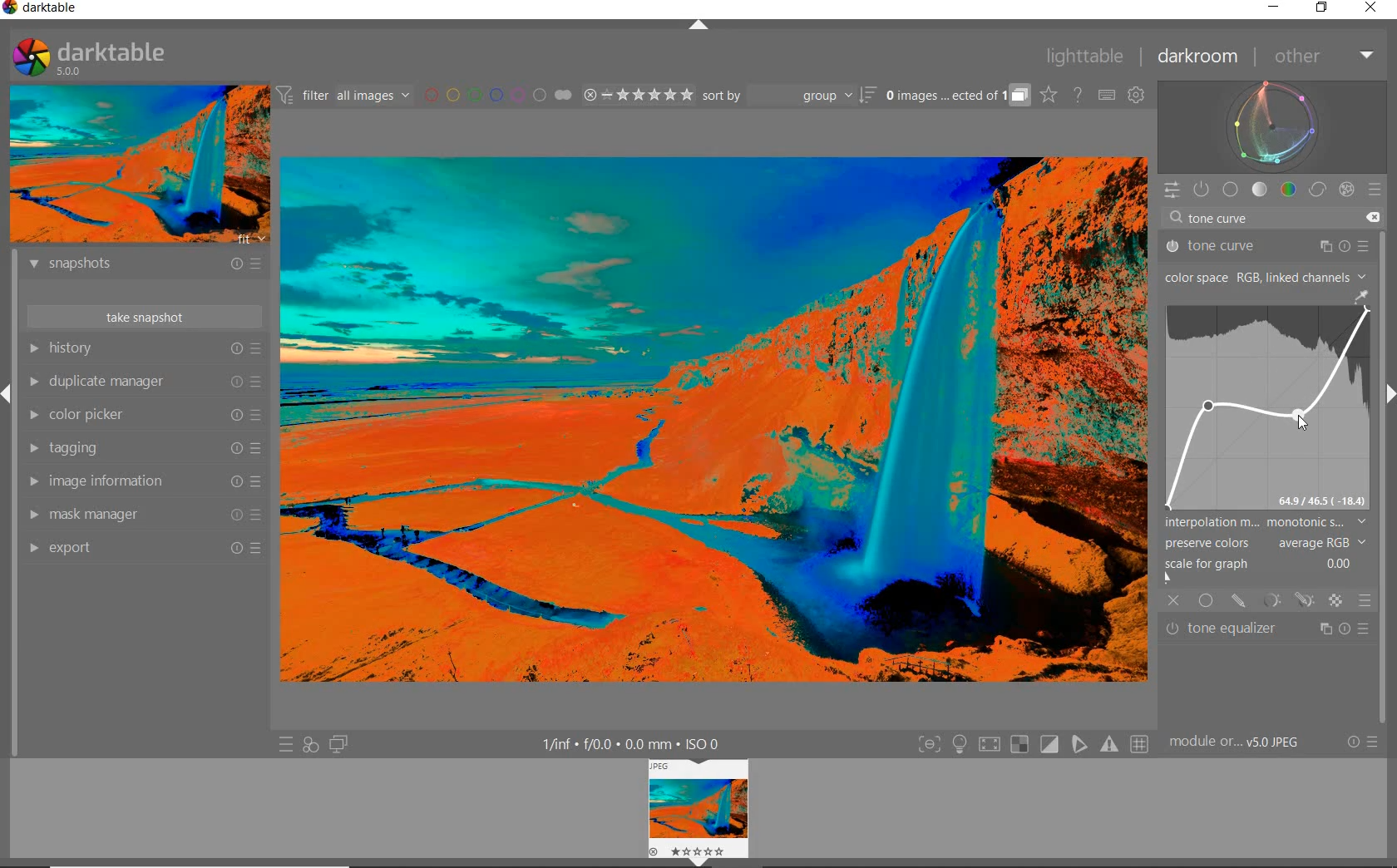 This screenshot has height=868, width=1397. I want to click on image information, so click(143, 481).